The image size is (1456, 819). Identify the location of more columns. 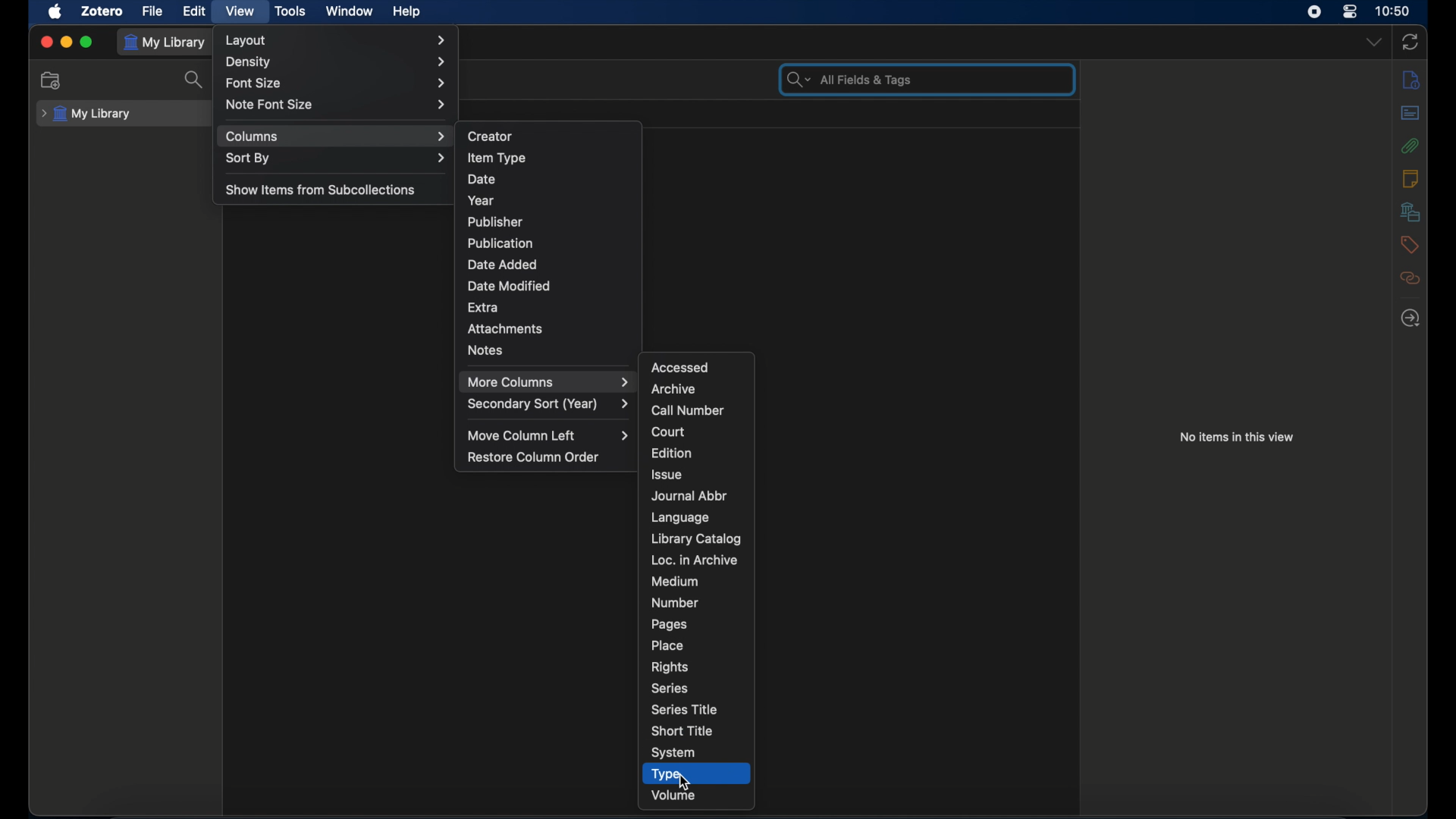
(548, 383).